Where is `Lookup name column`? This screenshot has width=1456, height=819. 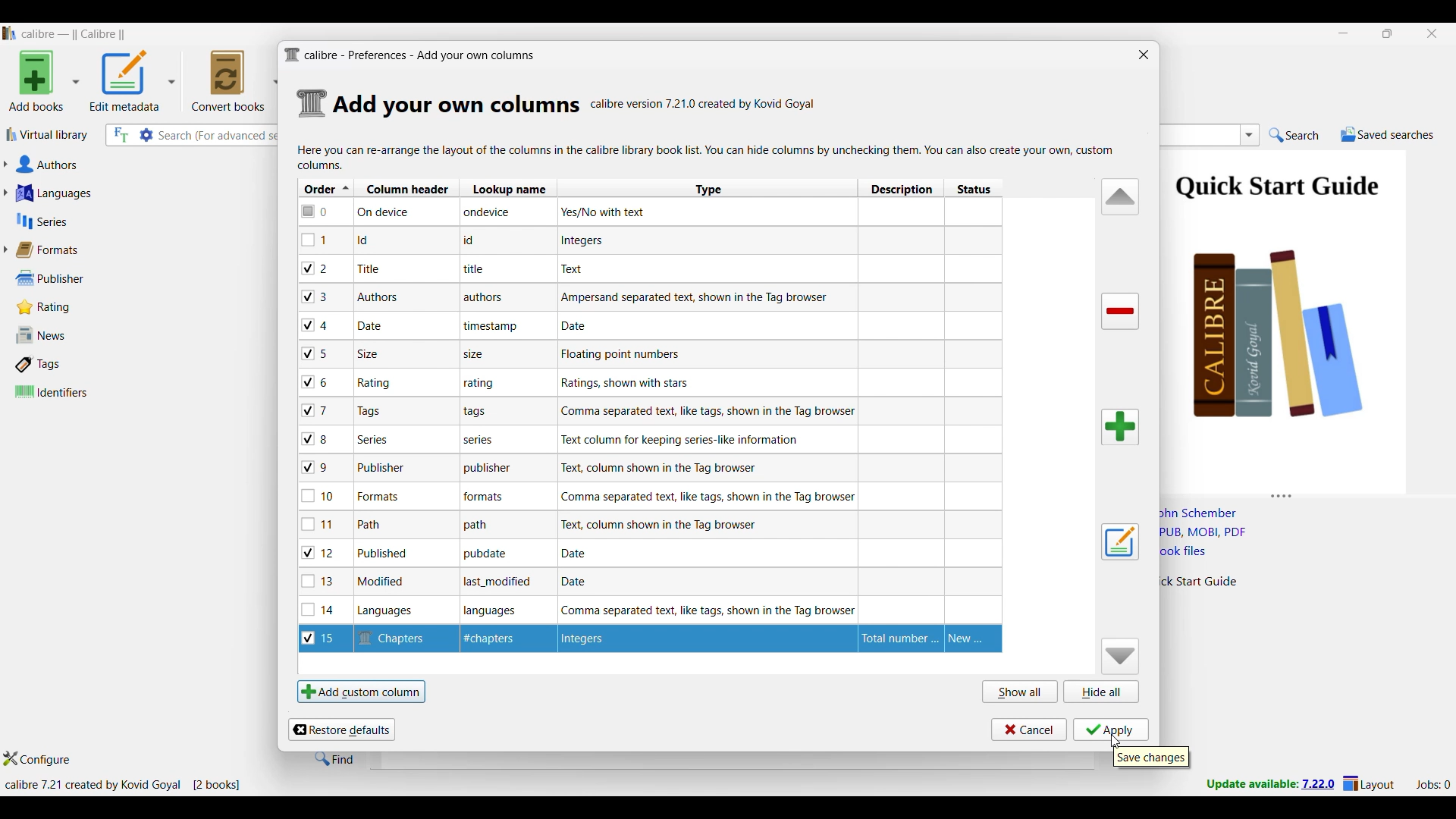 Lookup name column is located at coordinates (507, 187).